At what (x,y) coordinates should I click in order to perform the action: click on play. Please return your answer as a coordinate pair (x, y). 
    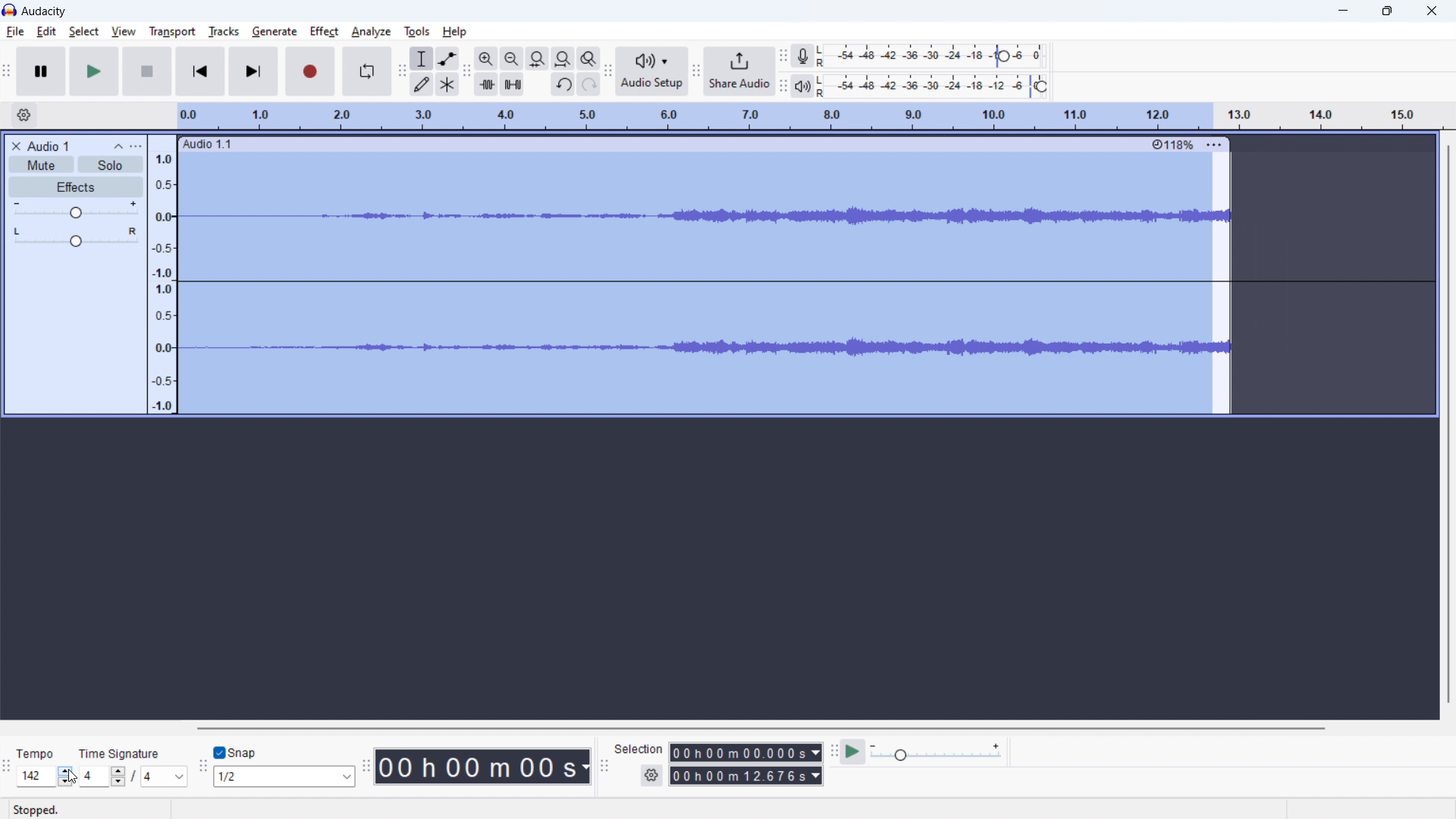
    Looking at the image, I should click on (94, 72).